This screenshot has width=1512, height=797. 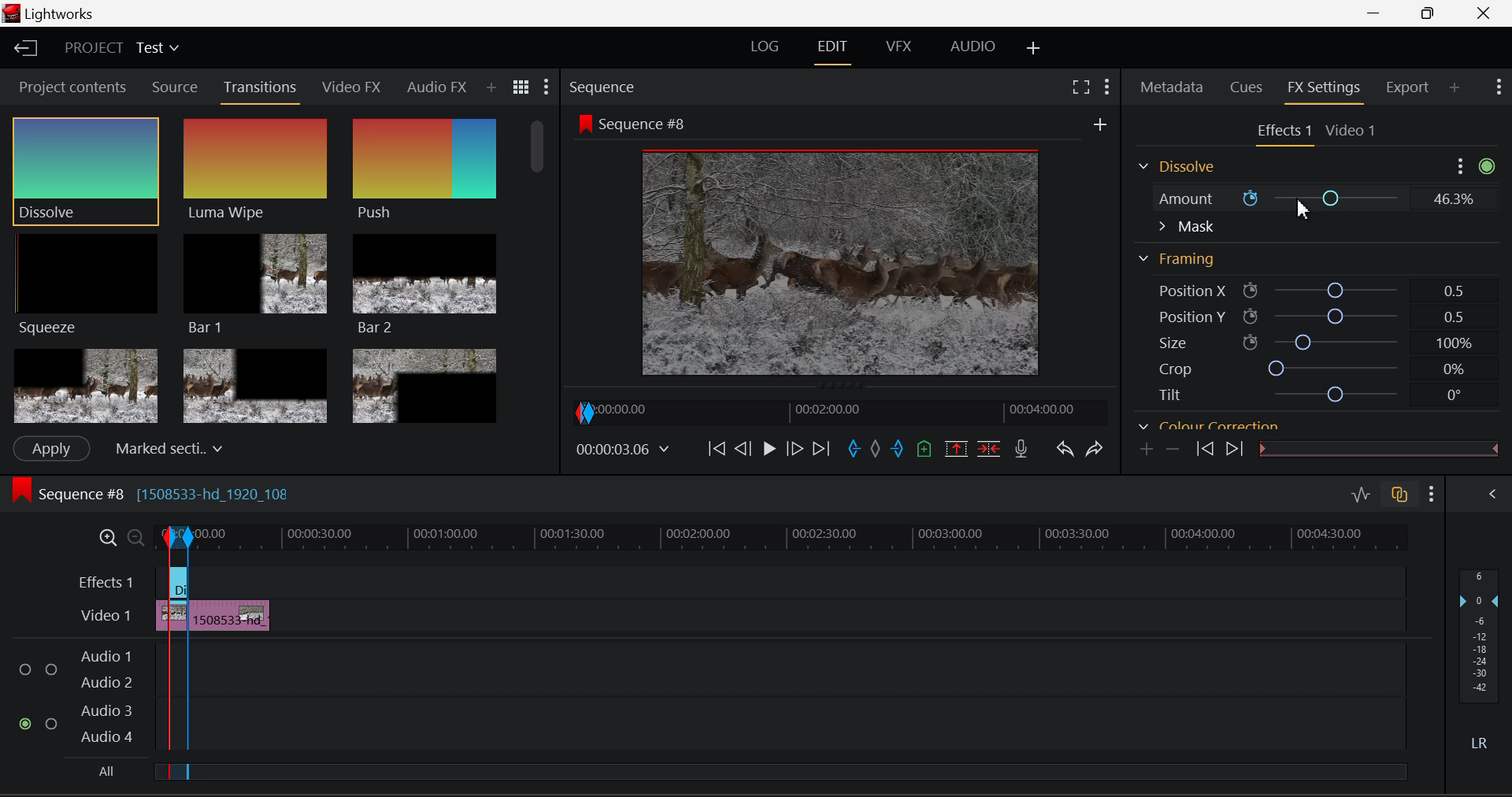 What do you see at coordinates (1172, 448) in the screenshot?
I see `Delete keyframes` at bounding box center [1172, 448].